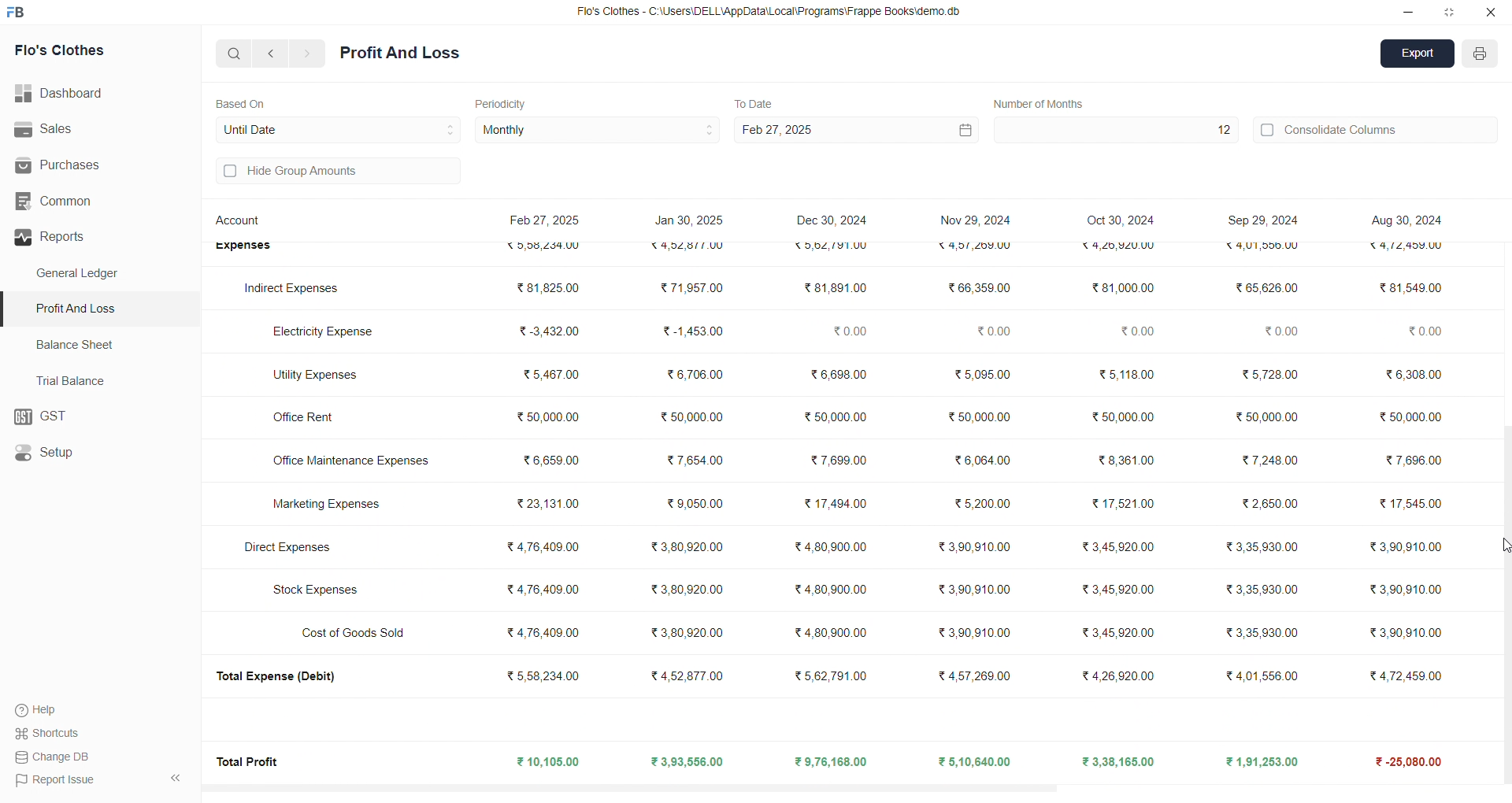 The height and width of the screenshot is (803, 1512). I want to click on Direct Expenses, so click(284, 546).